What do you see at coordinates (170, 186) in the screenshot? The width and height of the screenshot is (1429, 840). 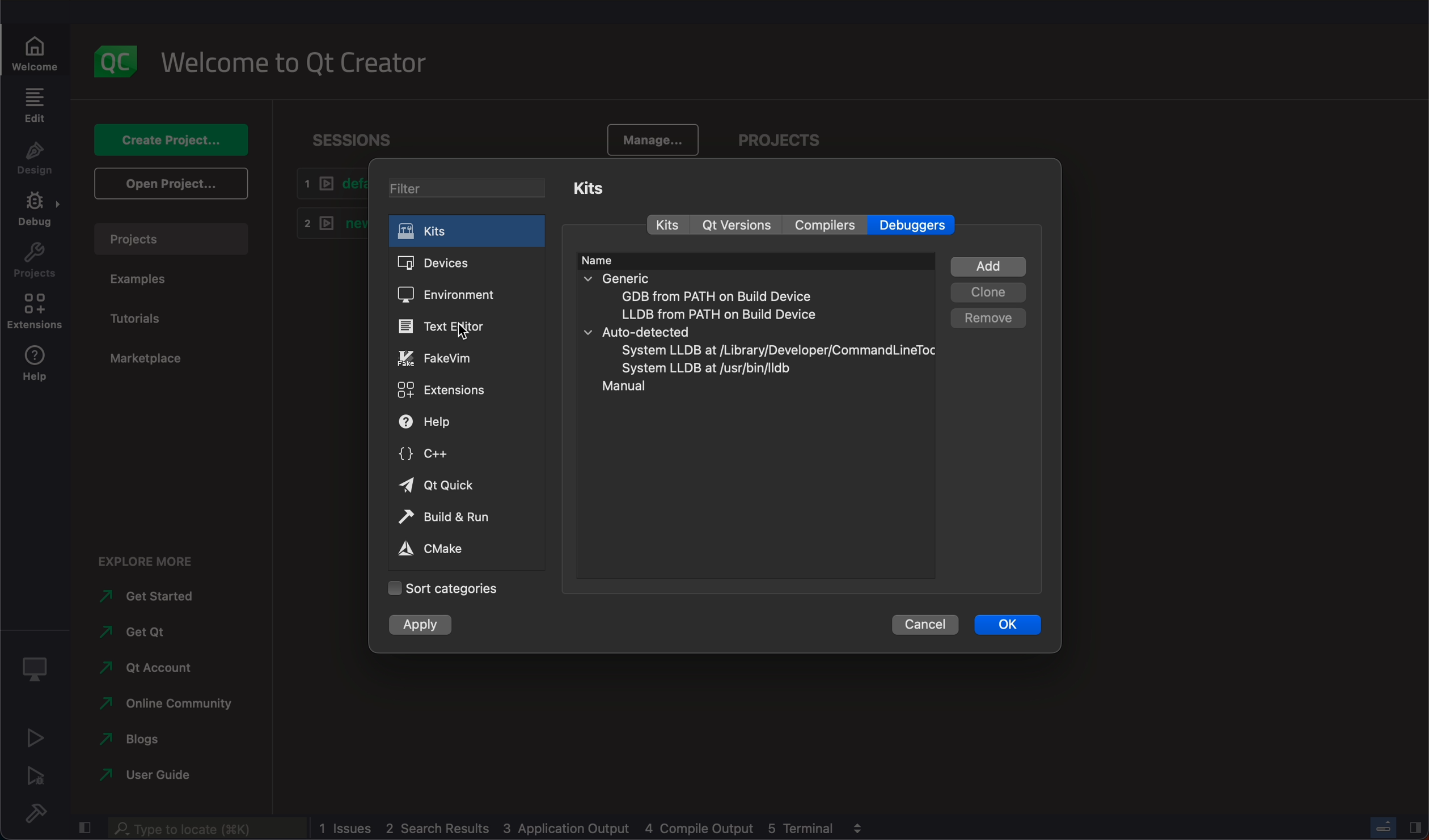 I see `open ` at bounding box center [170, 186].